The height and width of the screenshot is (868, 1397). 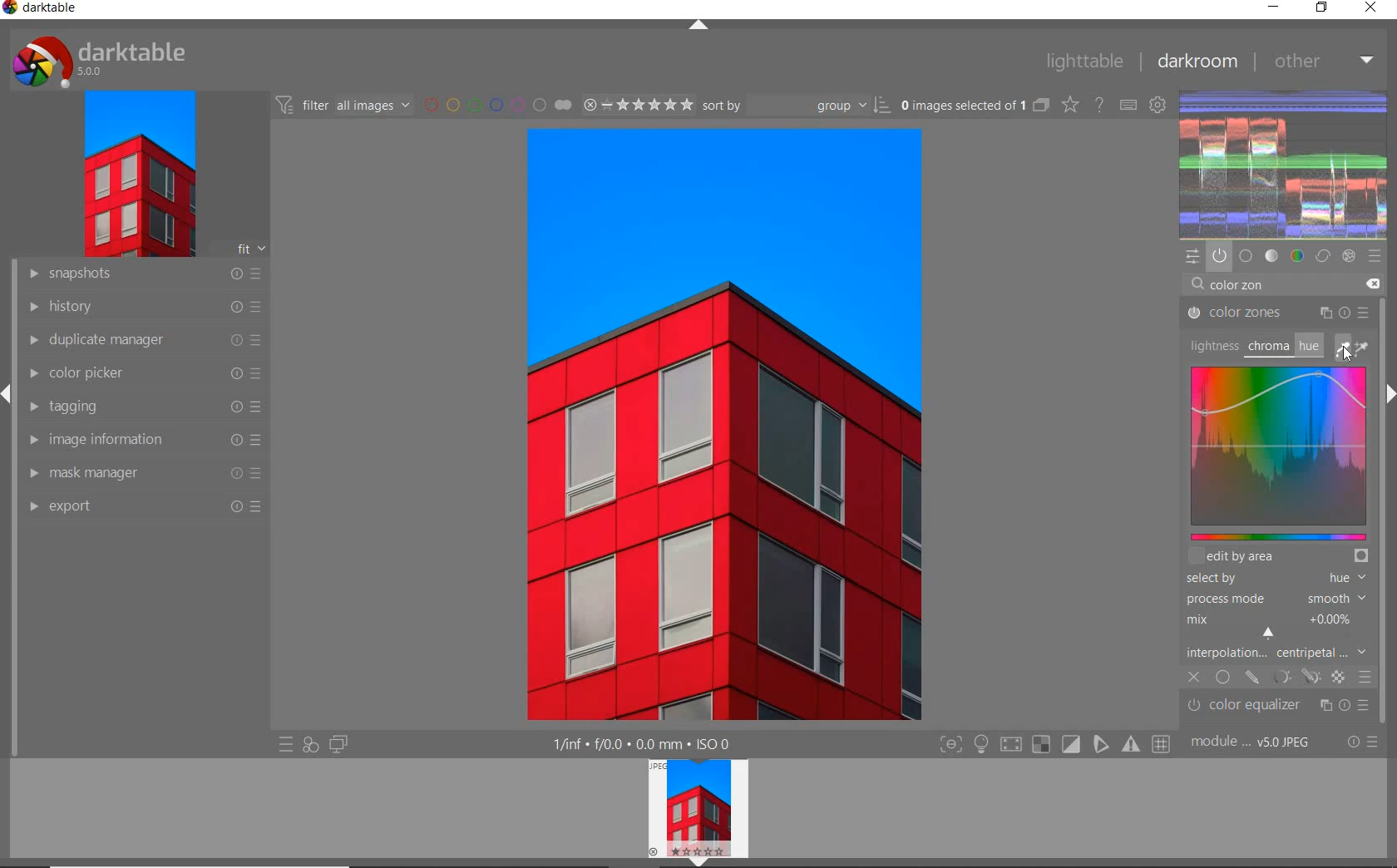 I want to click on scrollbar, so click(x=1386, y=548).